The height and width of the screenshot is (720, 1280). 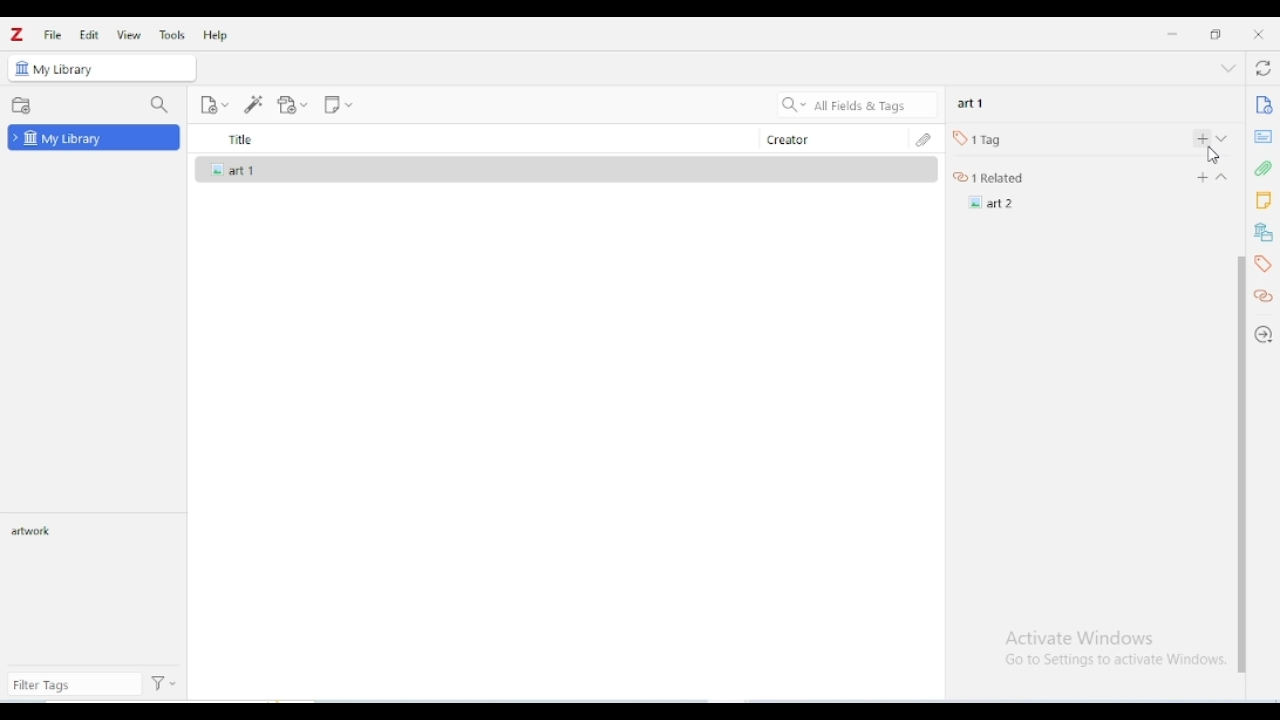 I want to click on add item(s) by identifier, so click(x=255, y=104).